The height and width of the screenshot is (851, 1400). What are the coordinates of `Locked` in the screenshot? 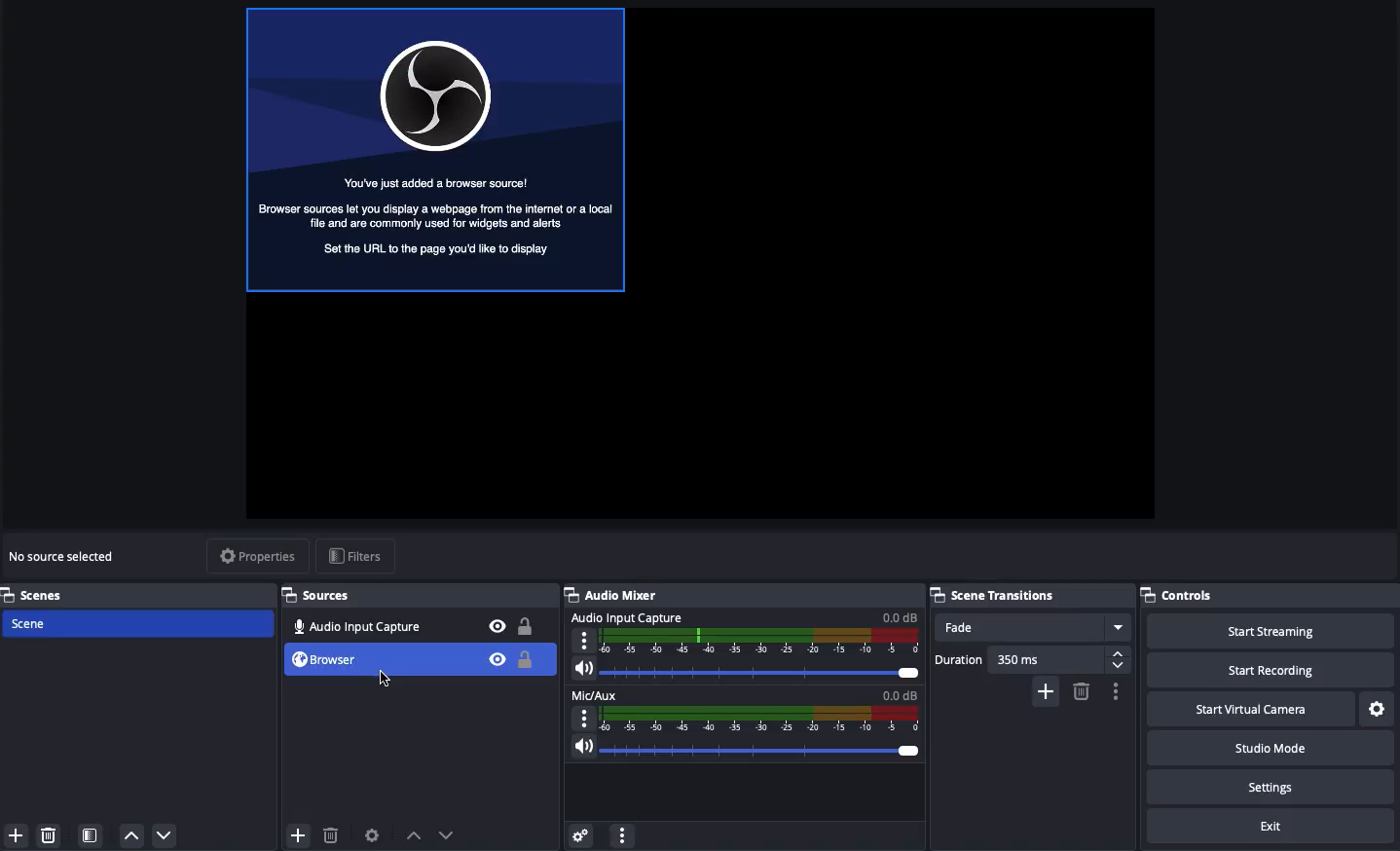 It's located at (527, 644).